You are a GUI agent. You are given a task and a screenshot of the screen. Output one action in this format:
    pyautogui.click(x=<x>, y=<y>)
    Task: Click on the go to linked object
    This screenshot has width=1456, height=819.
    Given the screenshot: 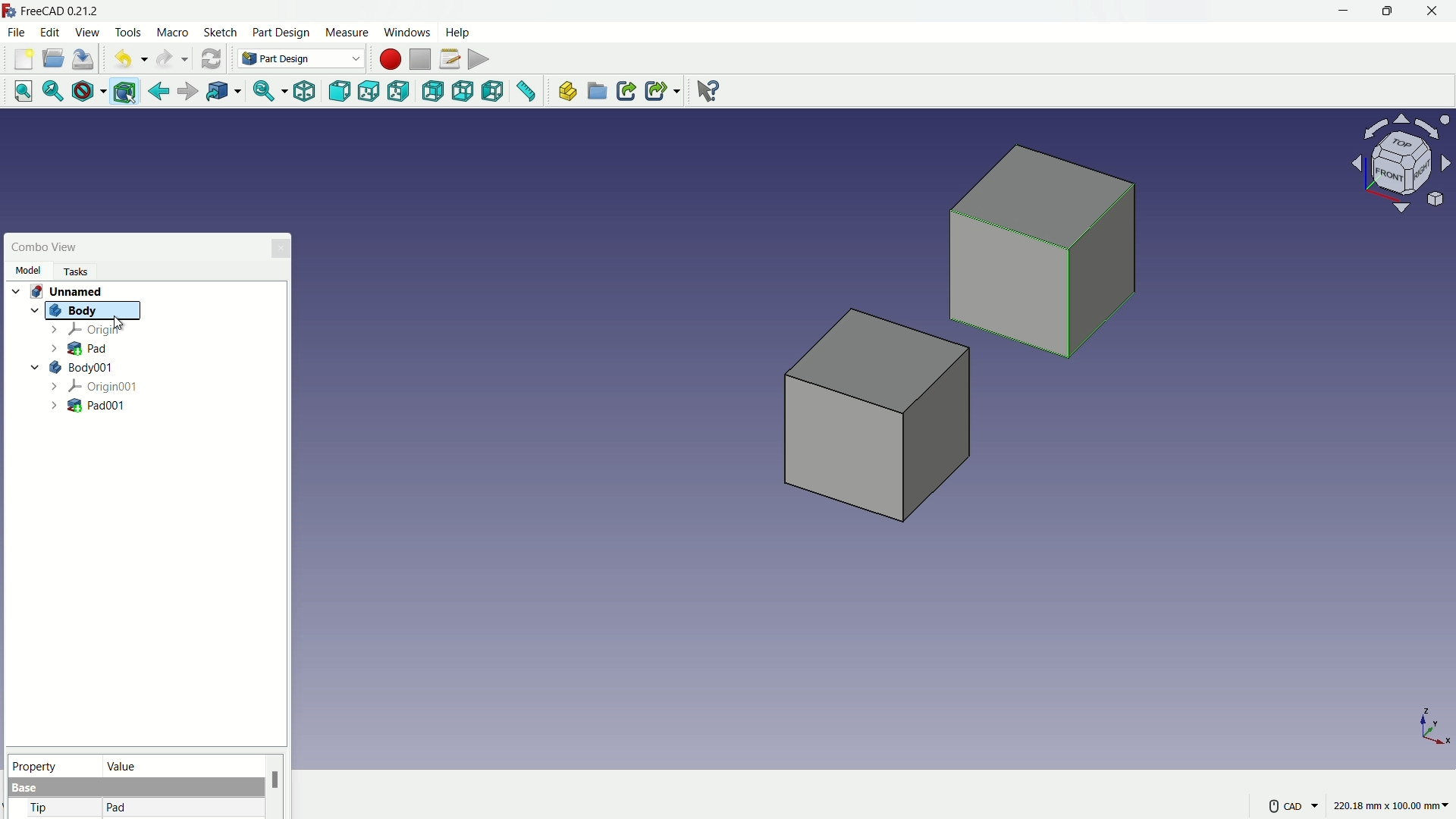 What is the action you would take?
    pyautogui.click(x=222, y=93)
    